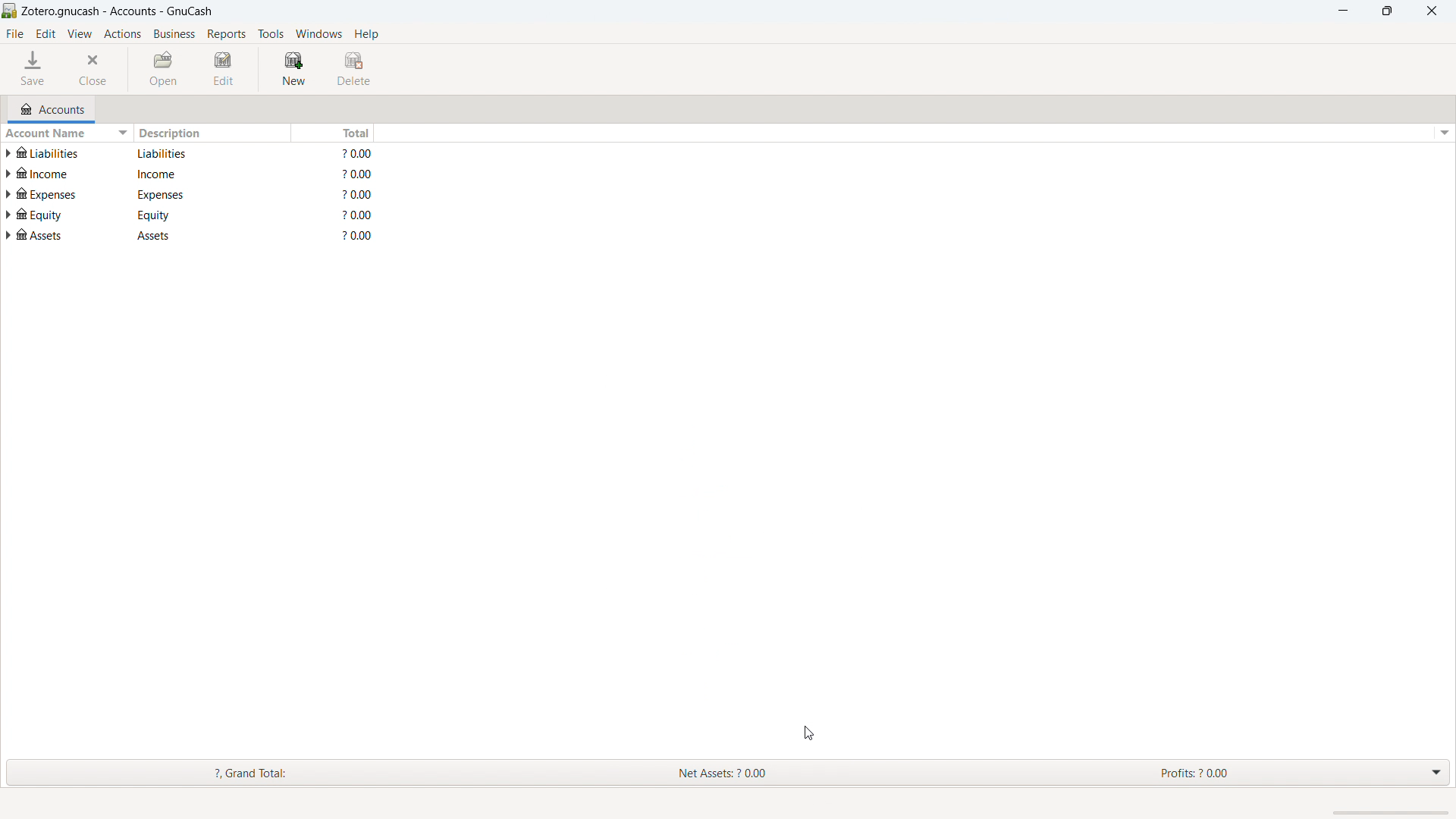 The width and height of the screenshot is (1456, 819). What do you see at coordinates (56, 237) in the screenshot?
I see `account name` at bounding box center [56, 237].